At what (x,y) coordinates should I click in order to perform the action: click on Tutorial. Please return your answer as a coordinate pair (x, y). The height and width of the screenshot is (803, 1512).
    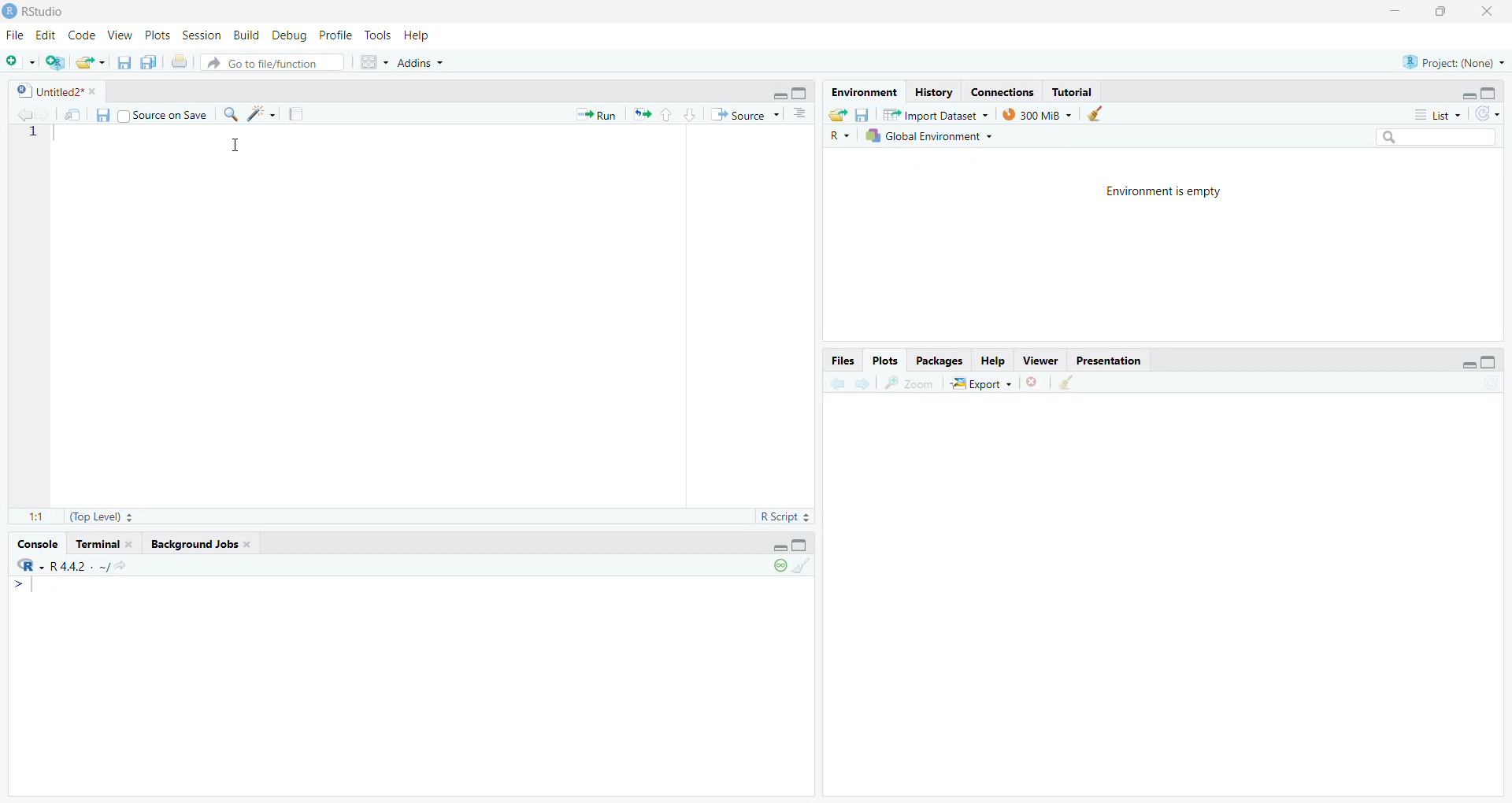
    Looking at the image, I should click on (1074, 92).